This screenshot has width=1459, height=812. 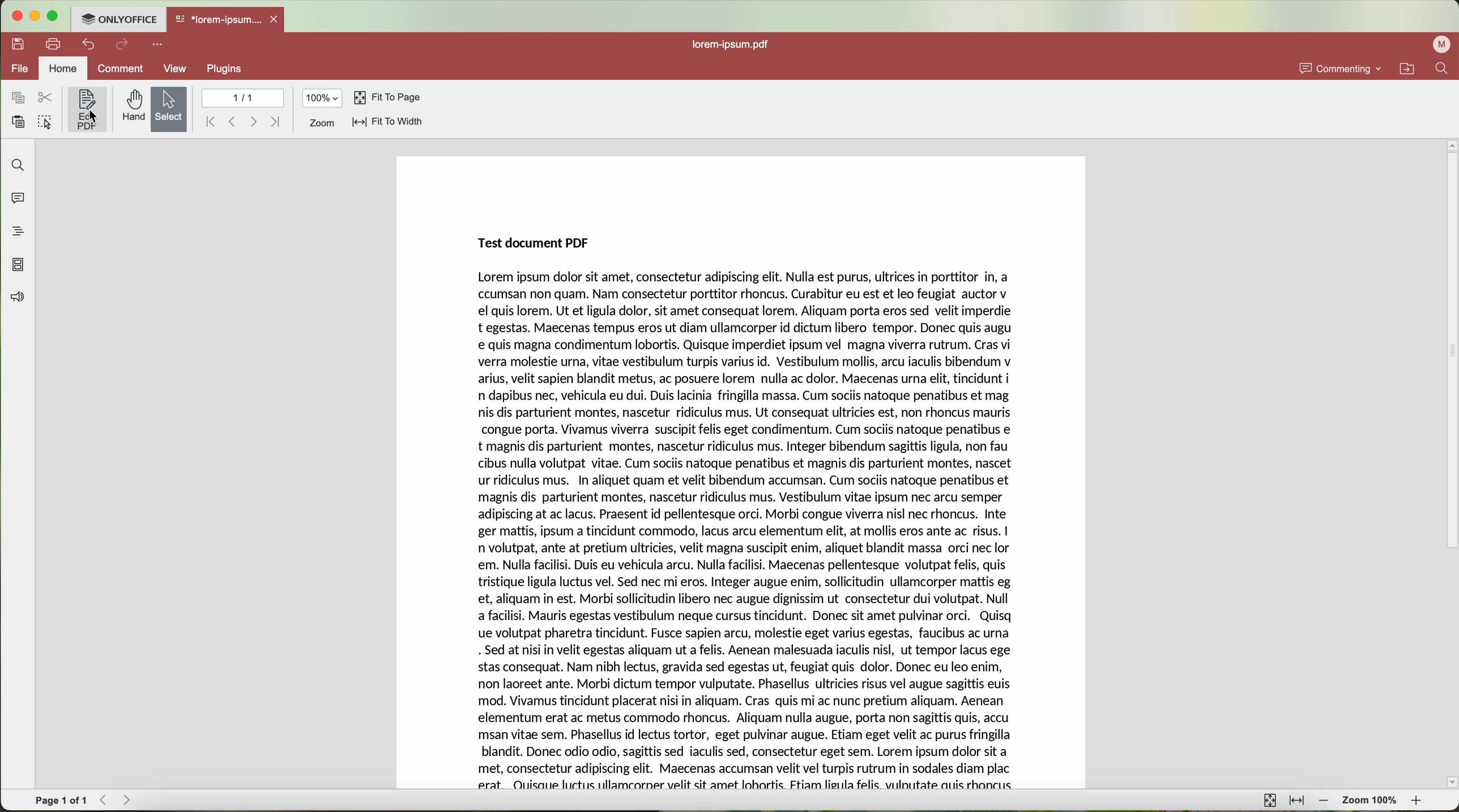 What do you see at coordinates (15, 196) in the screenshot?
I see `comments` at bounding box center [15, 196].